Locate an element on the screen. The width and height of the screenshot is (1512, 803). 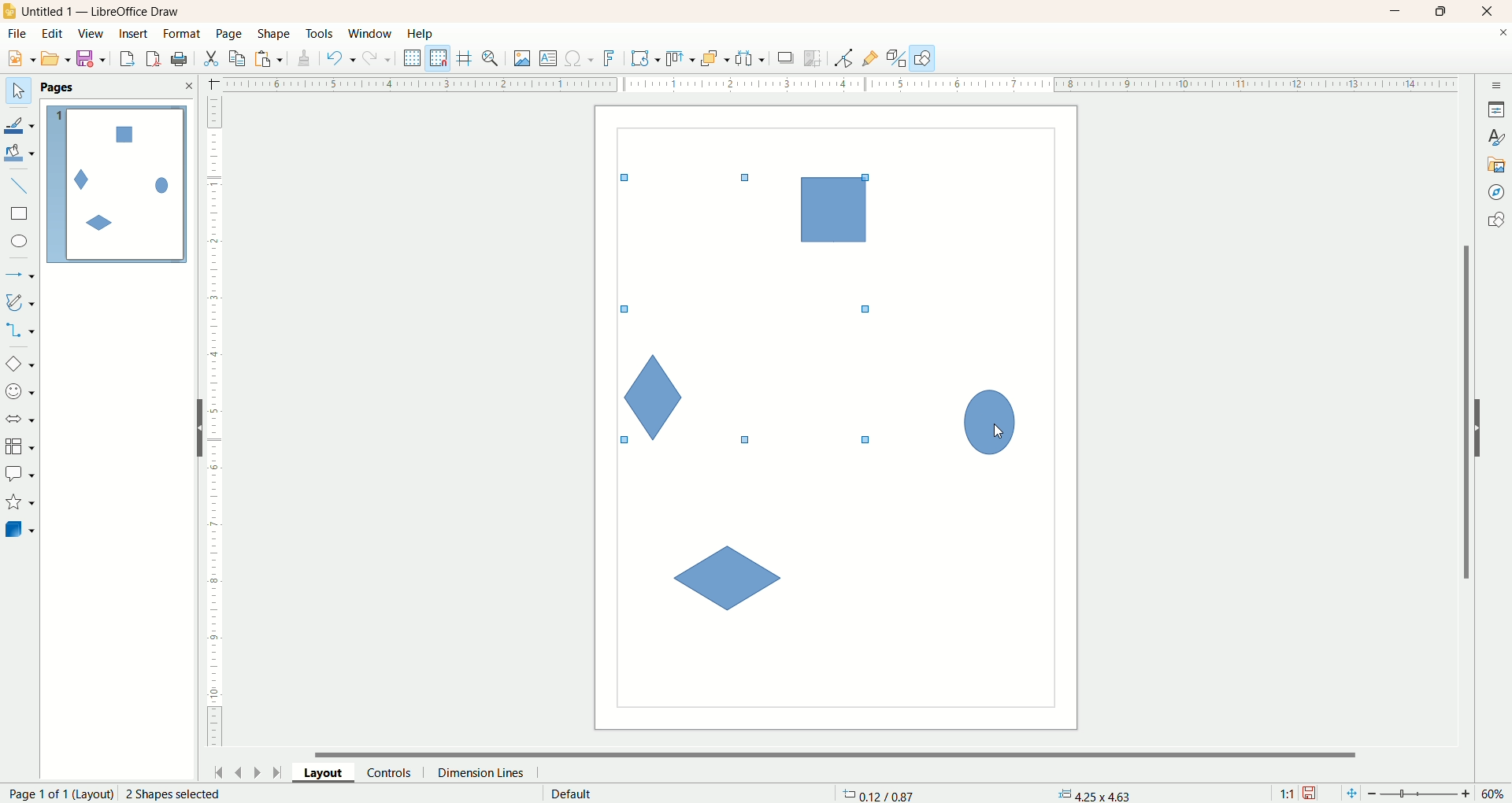
zoom factor is located at coordinates (1421, 794).